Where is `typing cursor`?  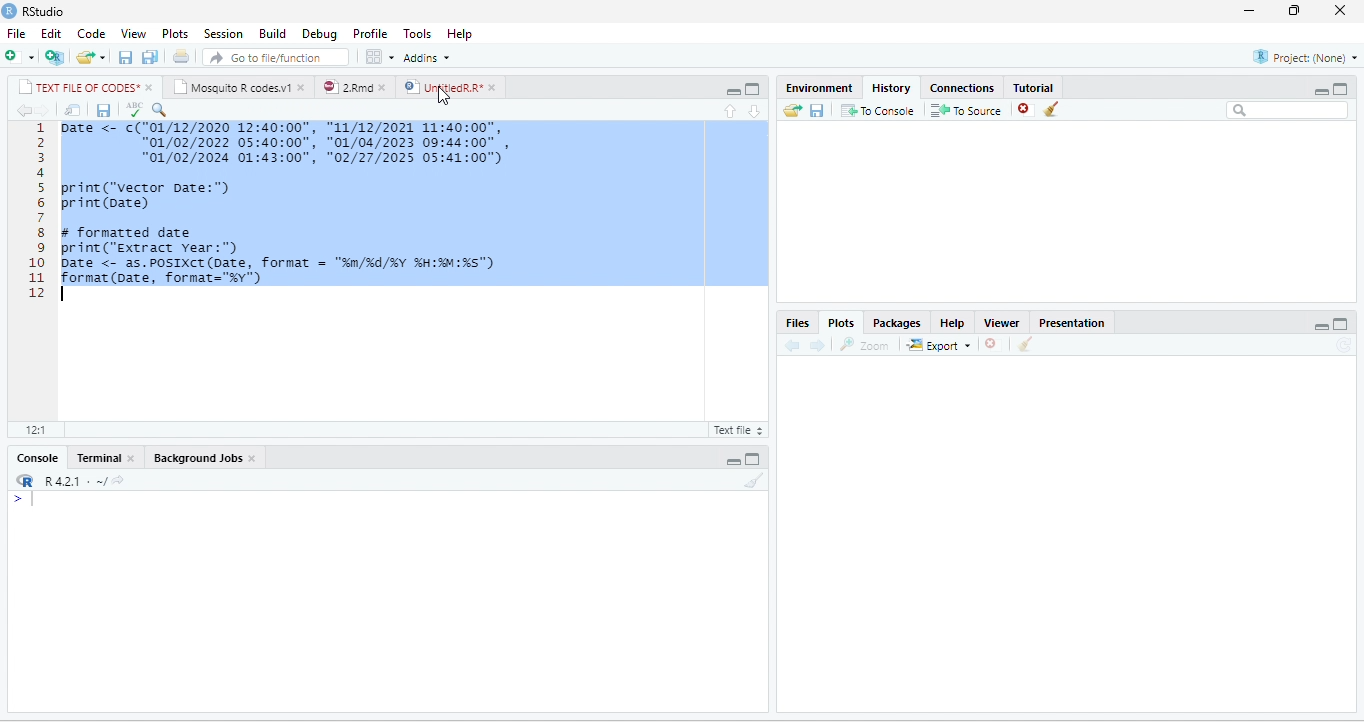 typing cursor is located at coordinates (66, 294).